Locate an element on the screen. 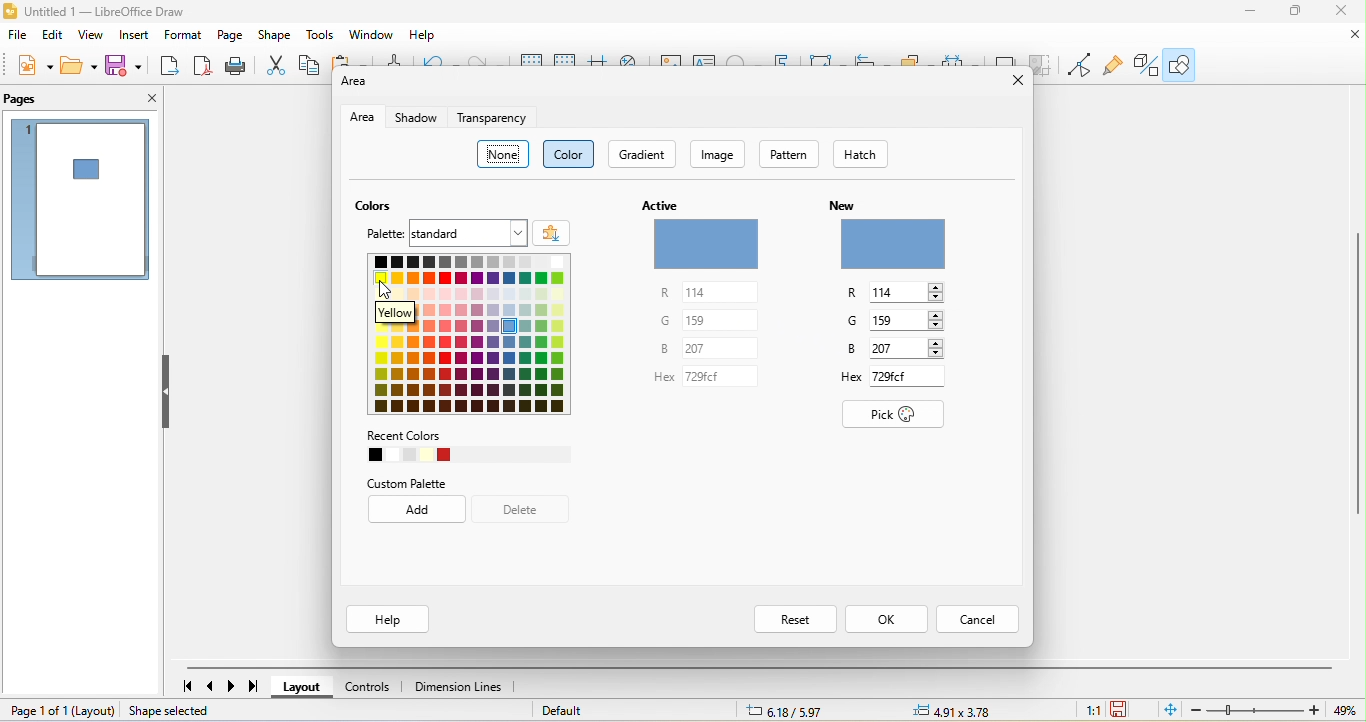  maximize is located at coordinates (1296, 12).